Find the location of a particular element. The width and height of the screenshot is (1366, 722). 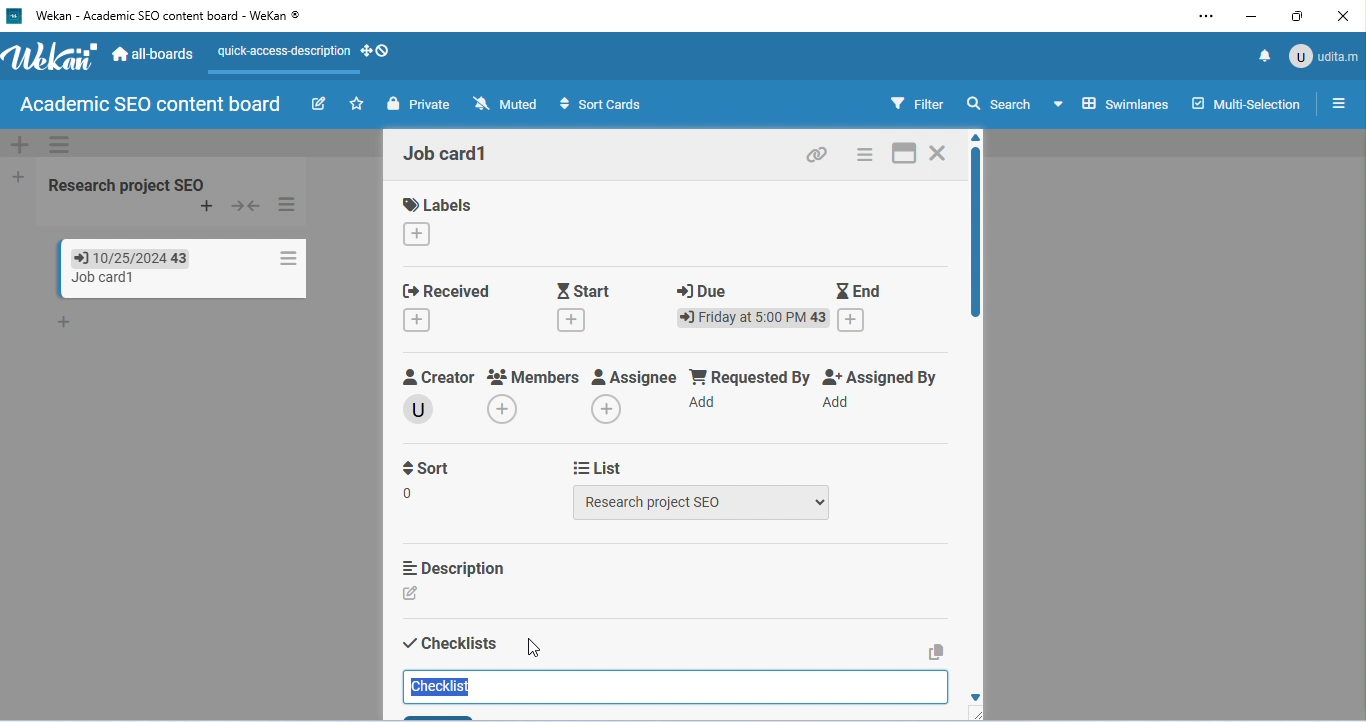

add assignee name is located at coordinates (608, 409).